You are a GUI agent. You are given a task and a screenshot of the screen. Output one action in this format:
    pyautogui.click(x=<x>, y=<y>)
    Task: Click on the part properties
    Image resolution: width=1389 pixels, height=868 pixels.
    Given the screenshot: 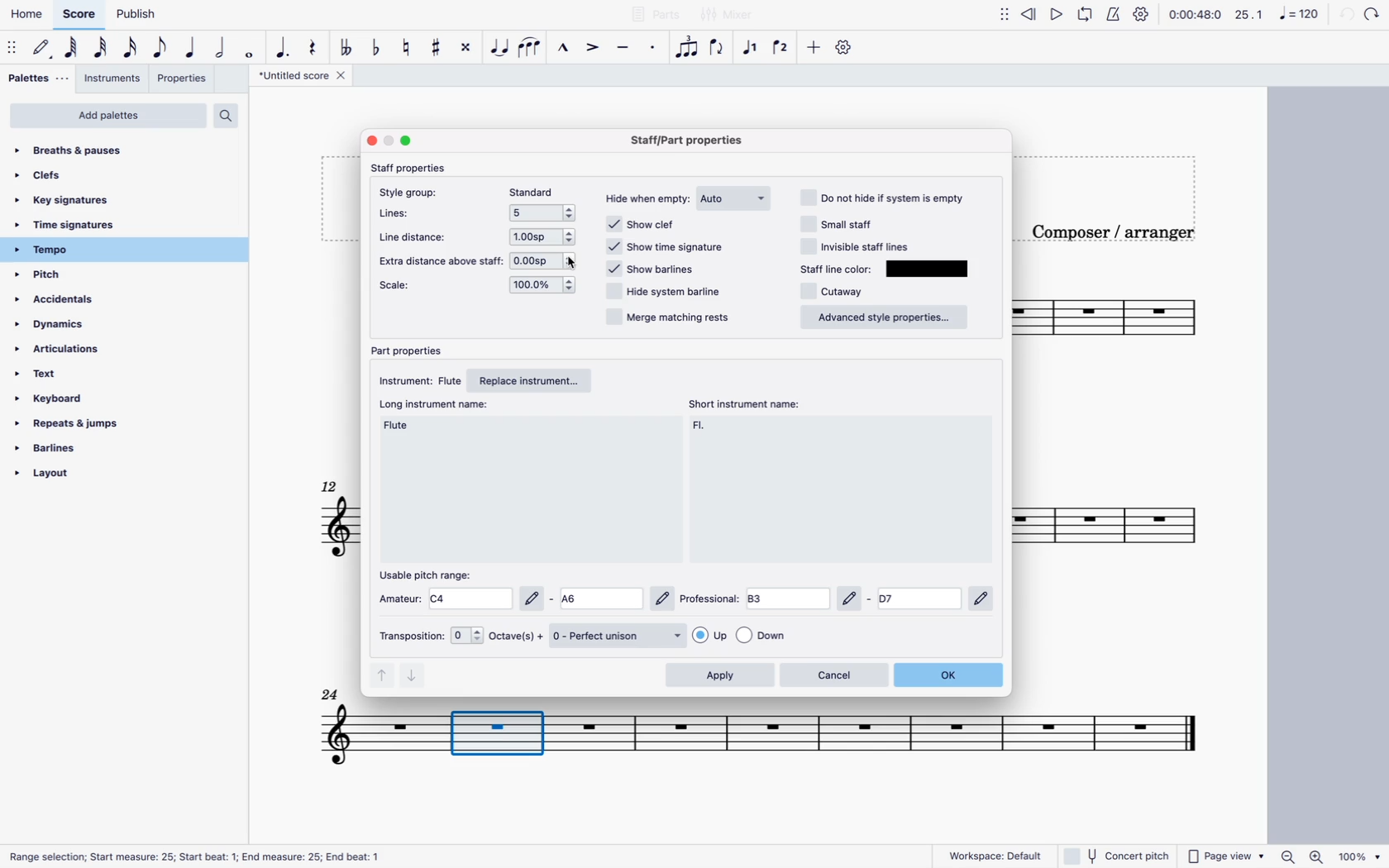 What is the action you would take?
    pyautogui.click(x=410, y=351)
    